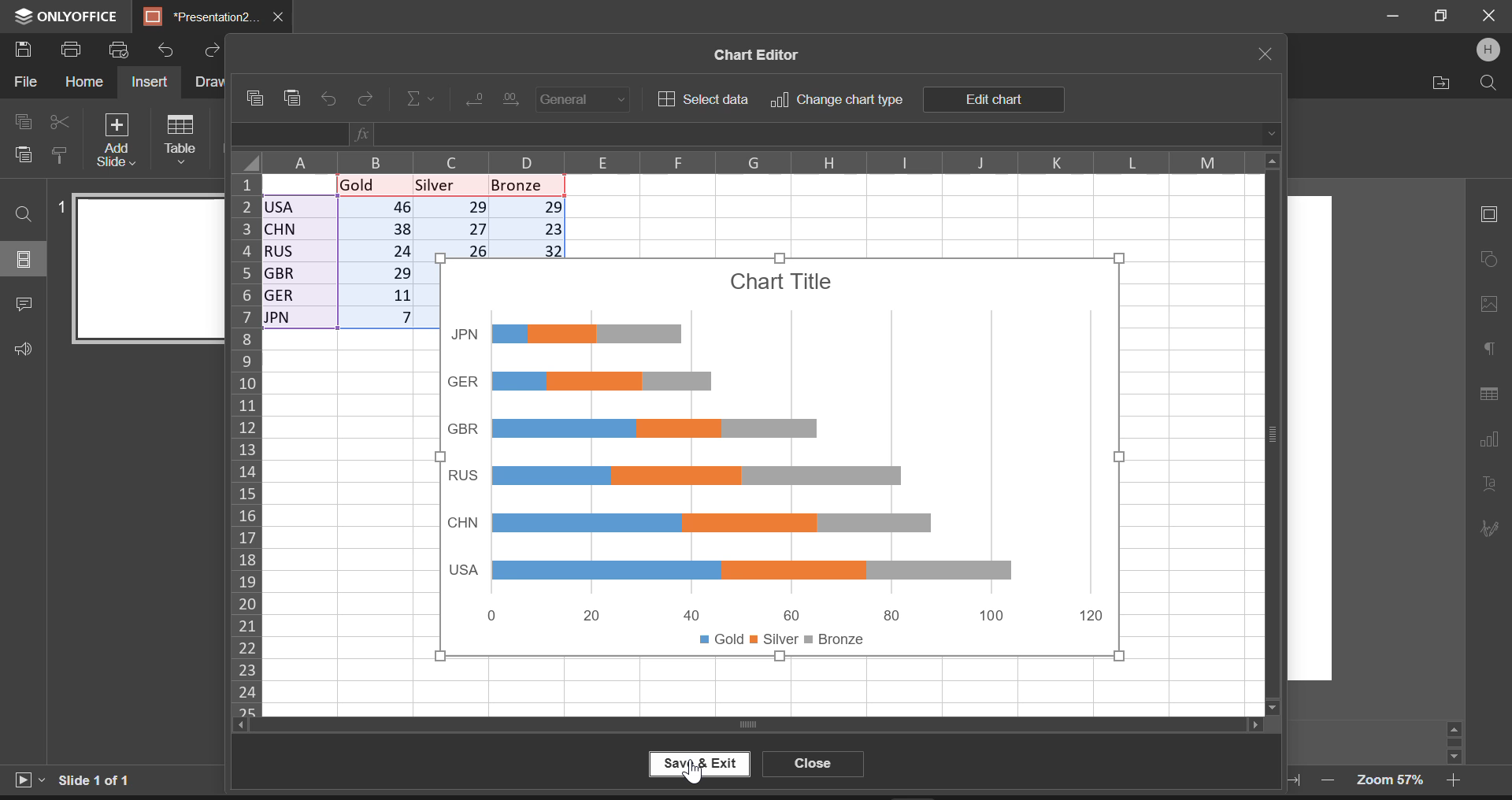 The width and height of the screenshot is (1512, 800). What do you see at coordinates (83, 83) in the screenshot?
I see `Home Menu` at bounding box center [83, 83].